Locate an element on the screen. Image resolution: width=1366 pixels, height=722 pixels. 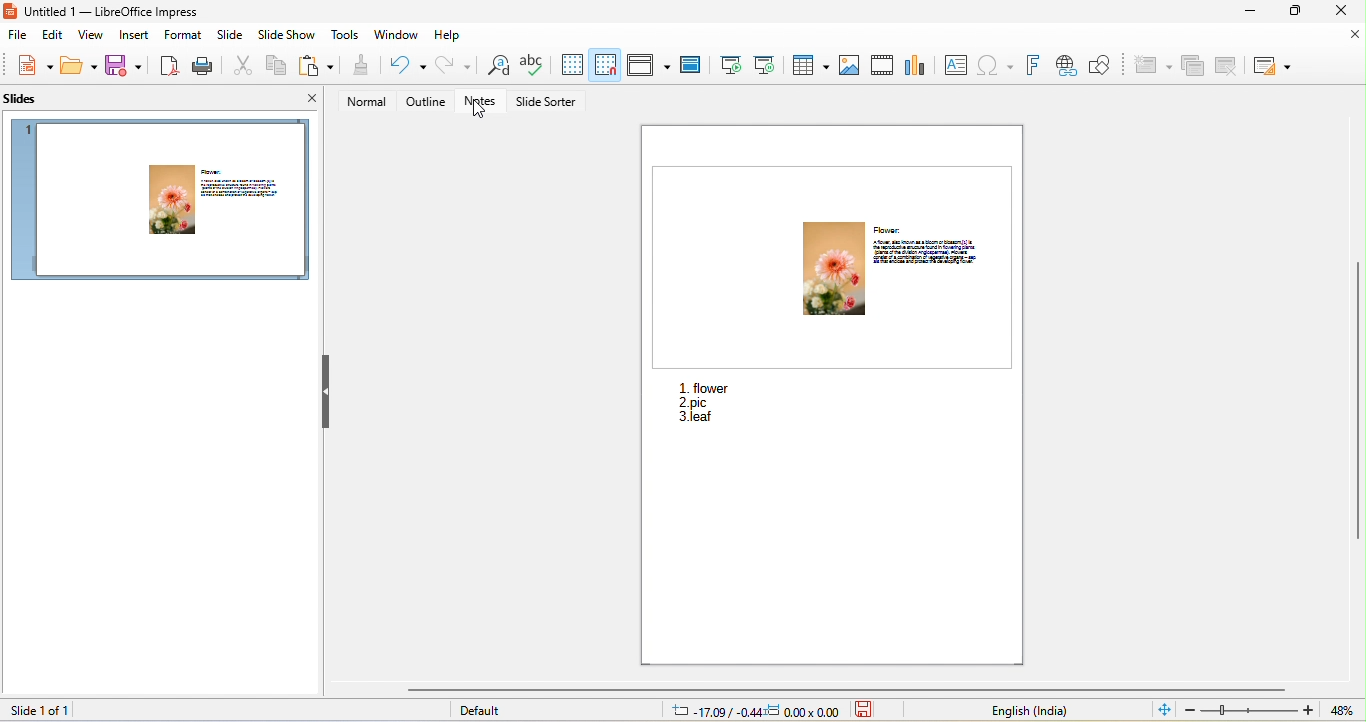
view is located at coordinates (89, 36).